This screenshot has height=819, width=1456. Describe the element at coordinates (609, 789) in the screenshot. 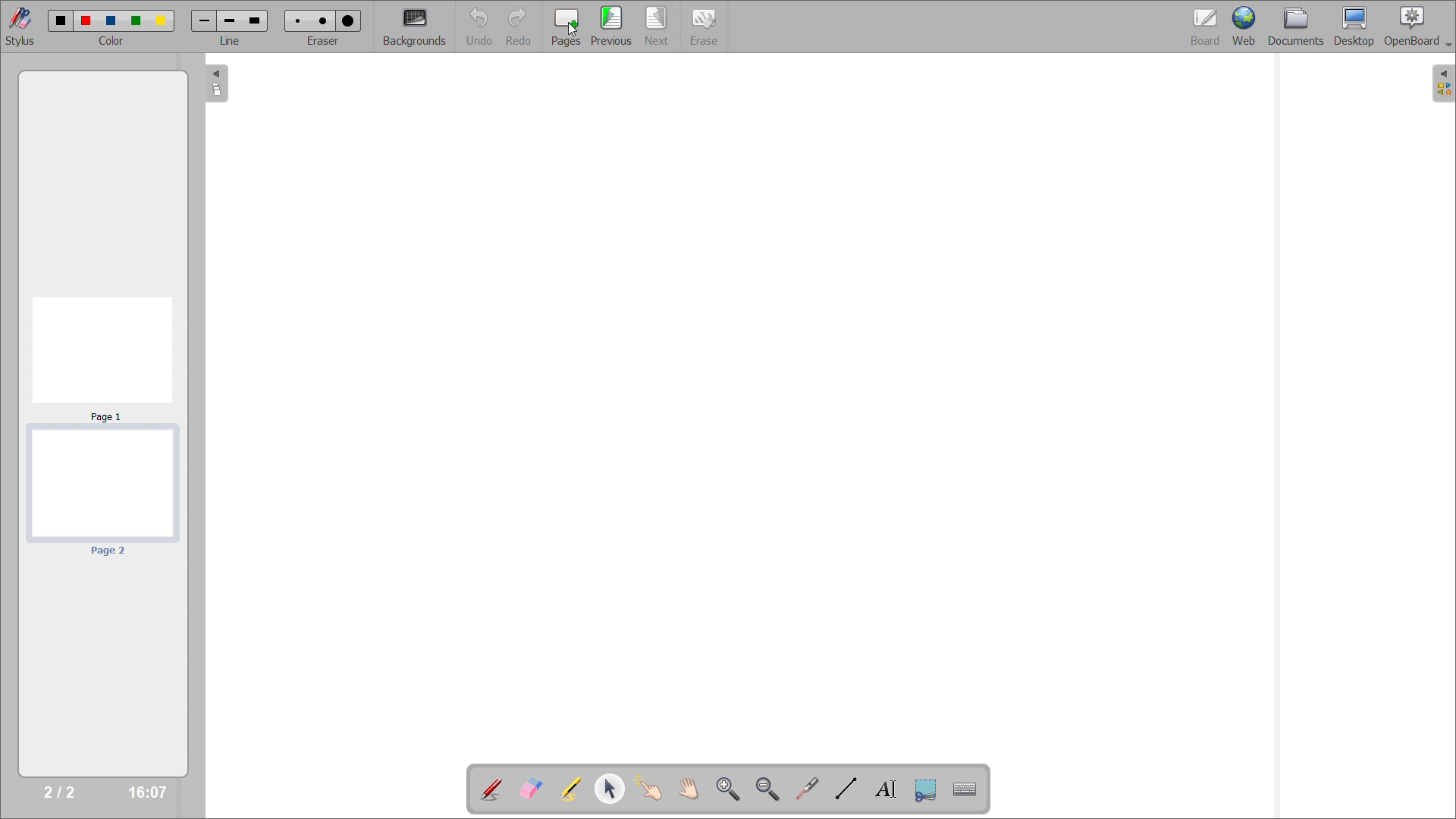

I see `select and modify objects` at that location.